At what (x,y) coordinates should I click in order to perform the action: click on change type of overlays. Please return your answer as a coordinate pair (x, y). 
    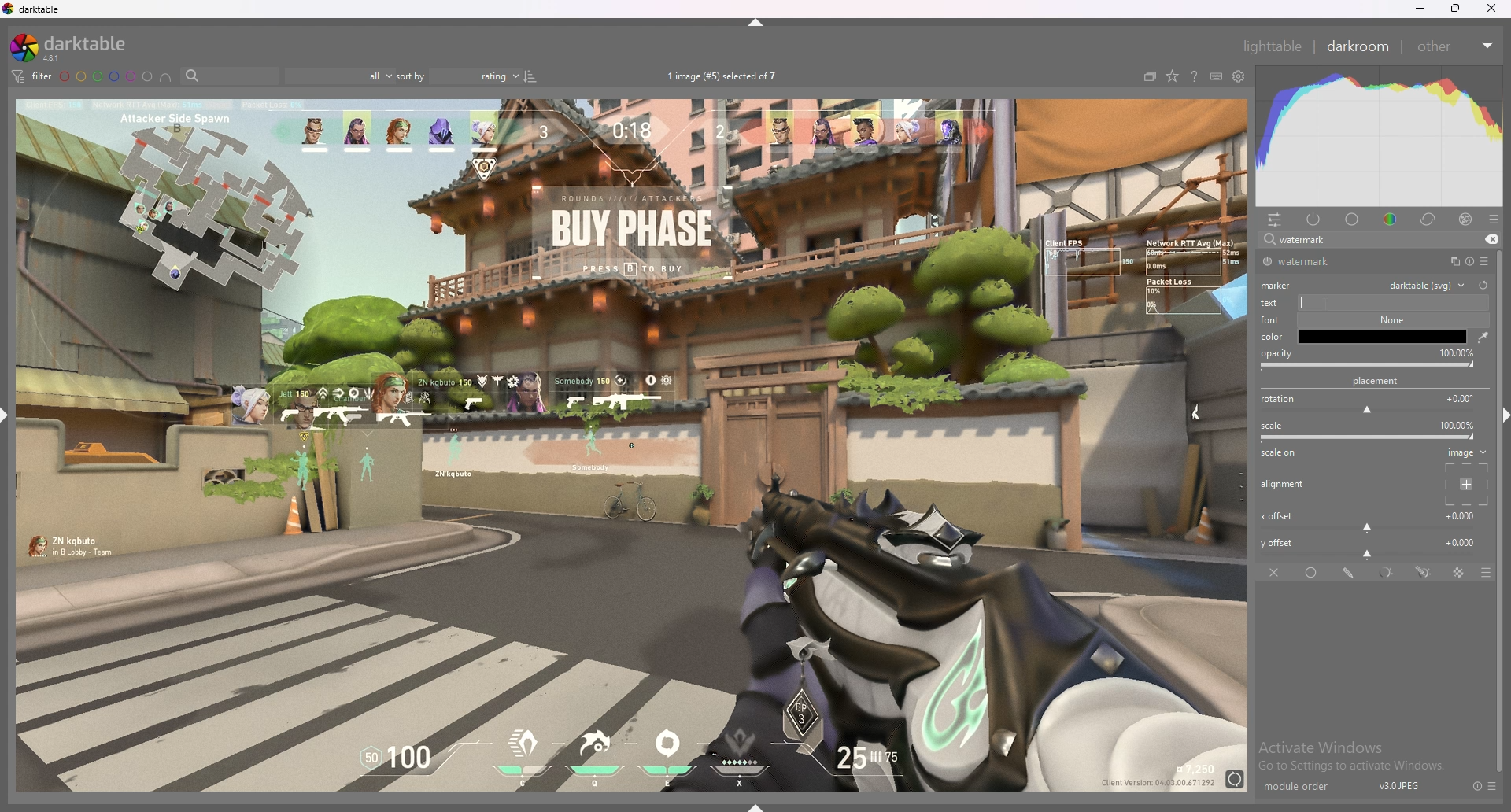
    Looking at the image, I should click on (1172, 77).